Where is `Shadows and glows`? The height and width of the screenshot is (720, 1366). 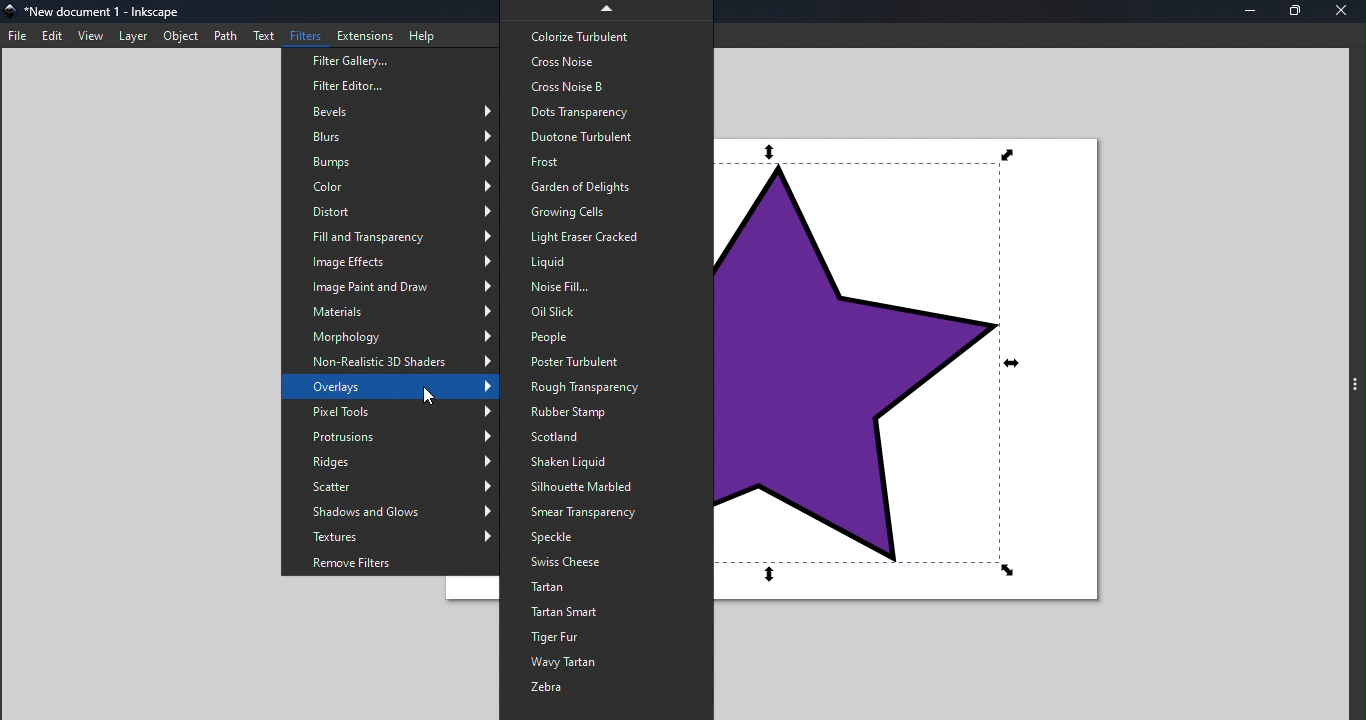 Shadows and glows is located at coordinates (392, 512).